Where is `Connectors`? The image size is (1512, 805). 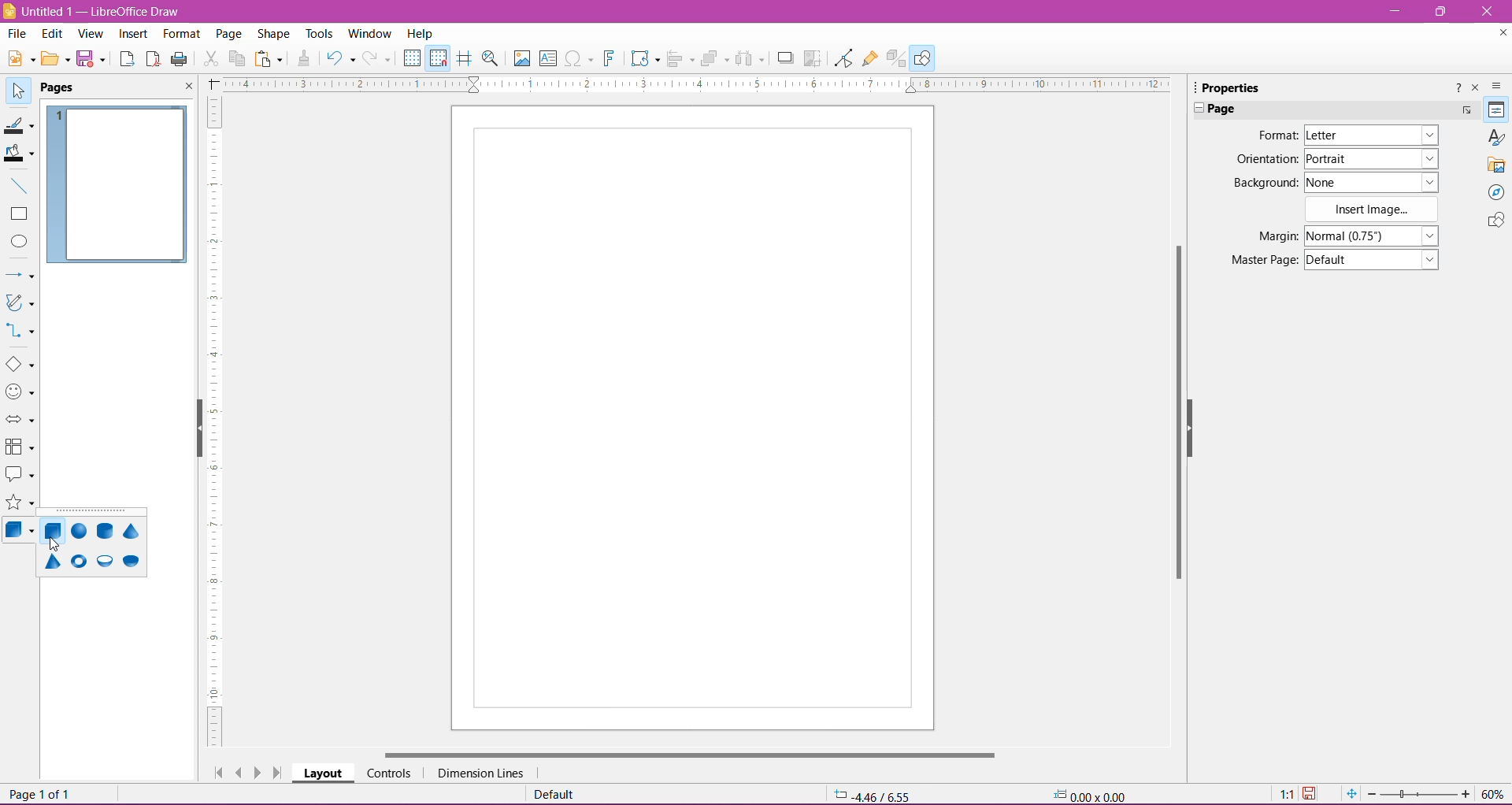
Connectors is located at coordinates (21, 332).